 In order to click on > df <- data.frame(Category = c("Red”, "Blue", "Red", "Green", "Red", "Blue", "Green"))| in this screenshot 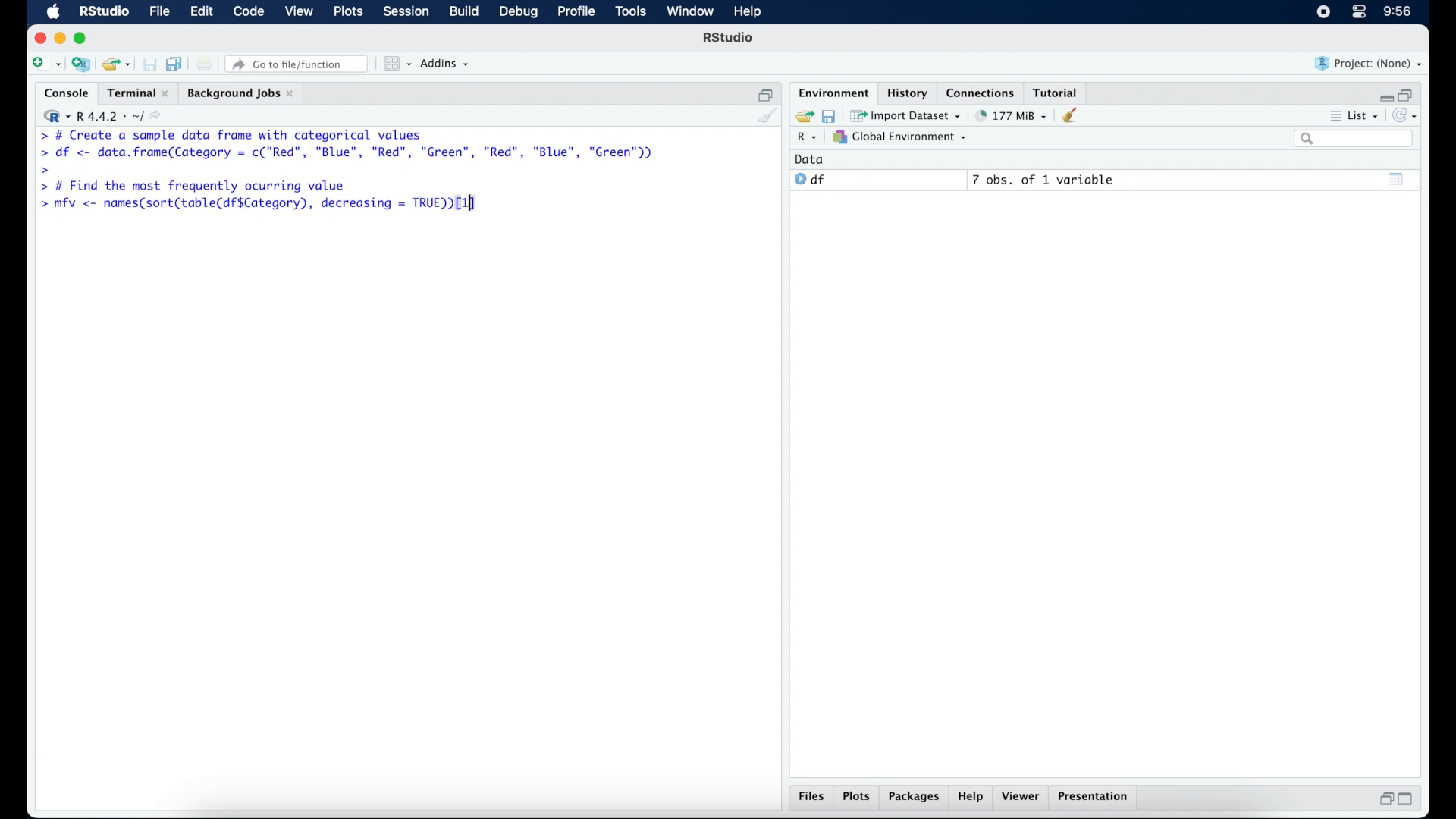, I will do `click(349, 153)`.